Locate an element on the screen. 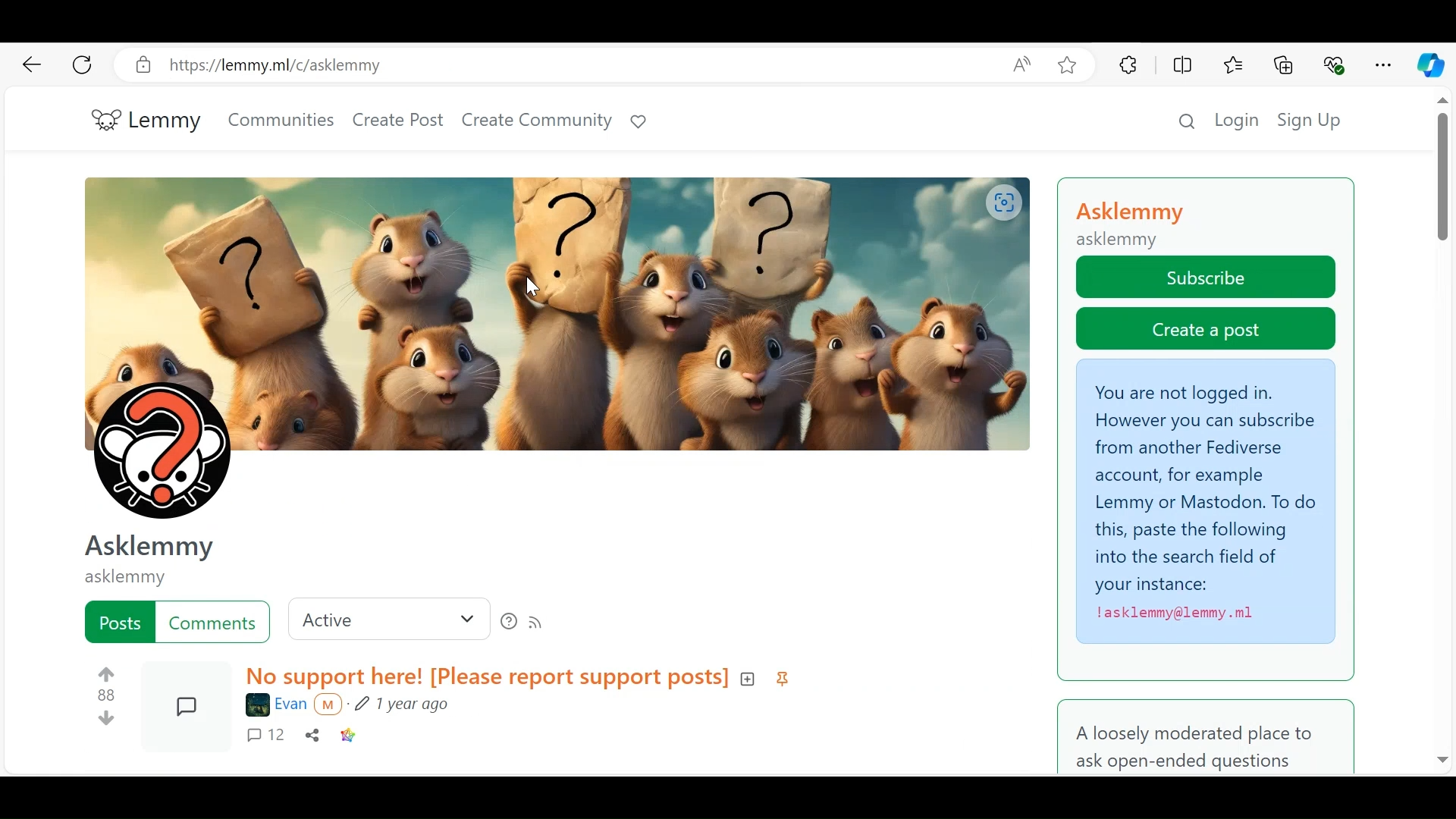  Copilot is located at coordinates (1431, 65).